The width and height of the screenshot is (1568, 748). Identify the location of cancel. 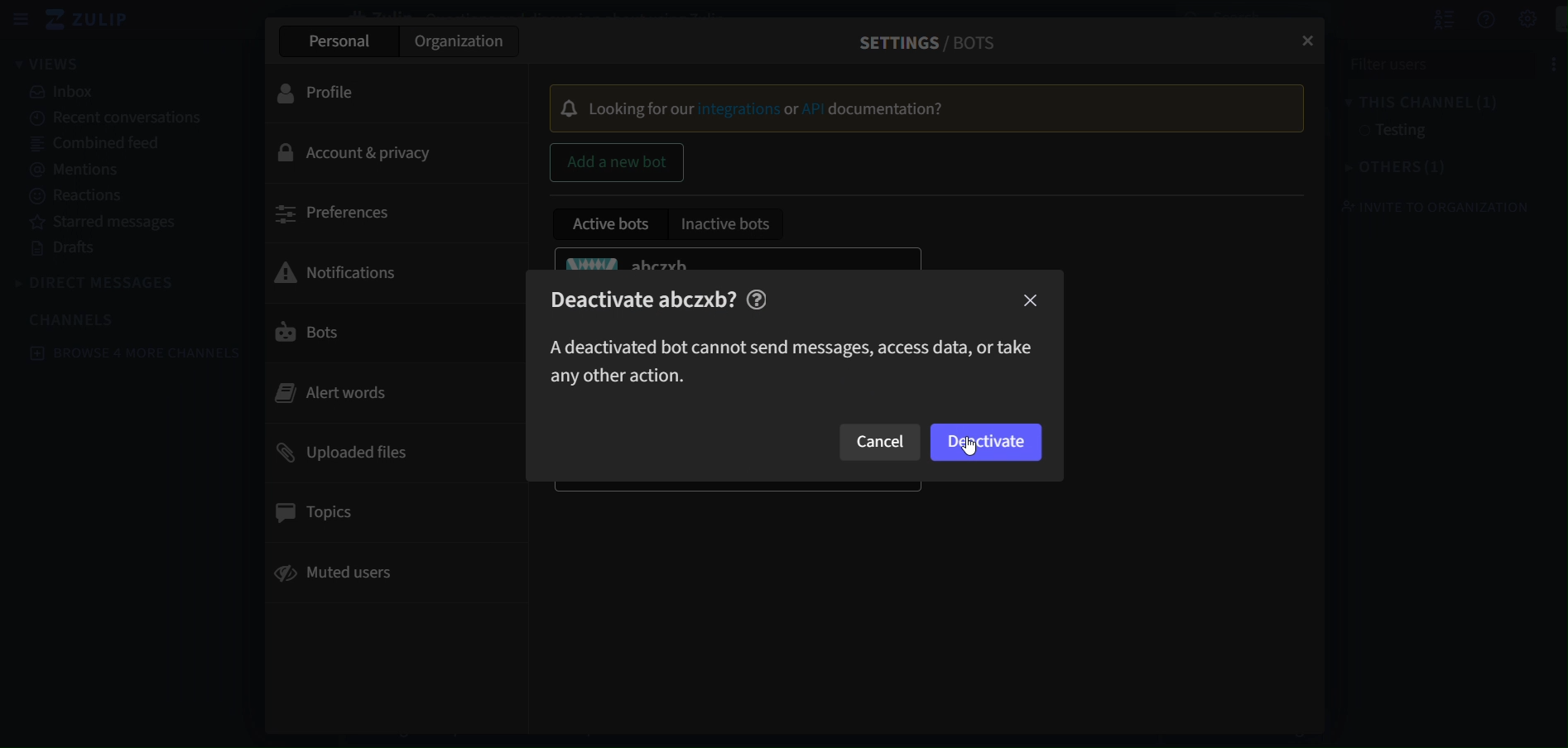
(883, 442).